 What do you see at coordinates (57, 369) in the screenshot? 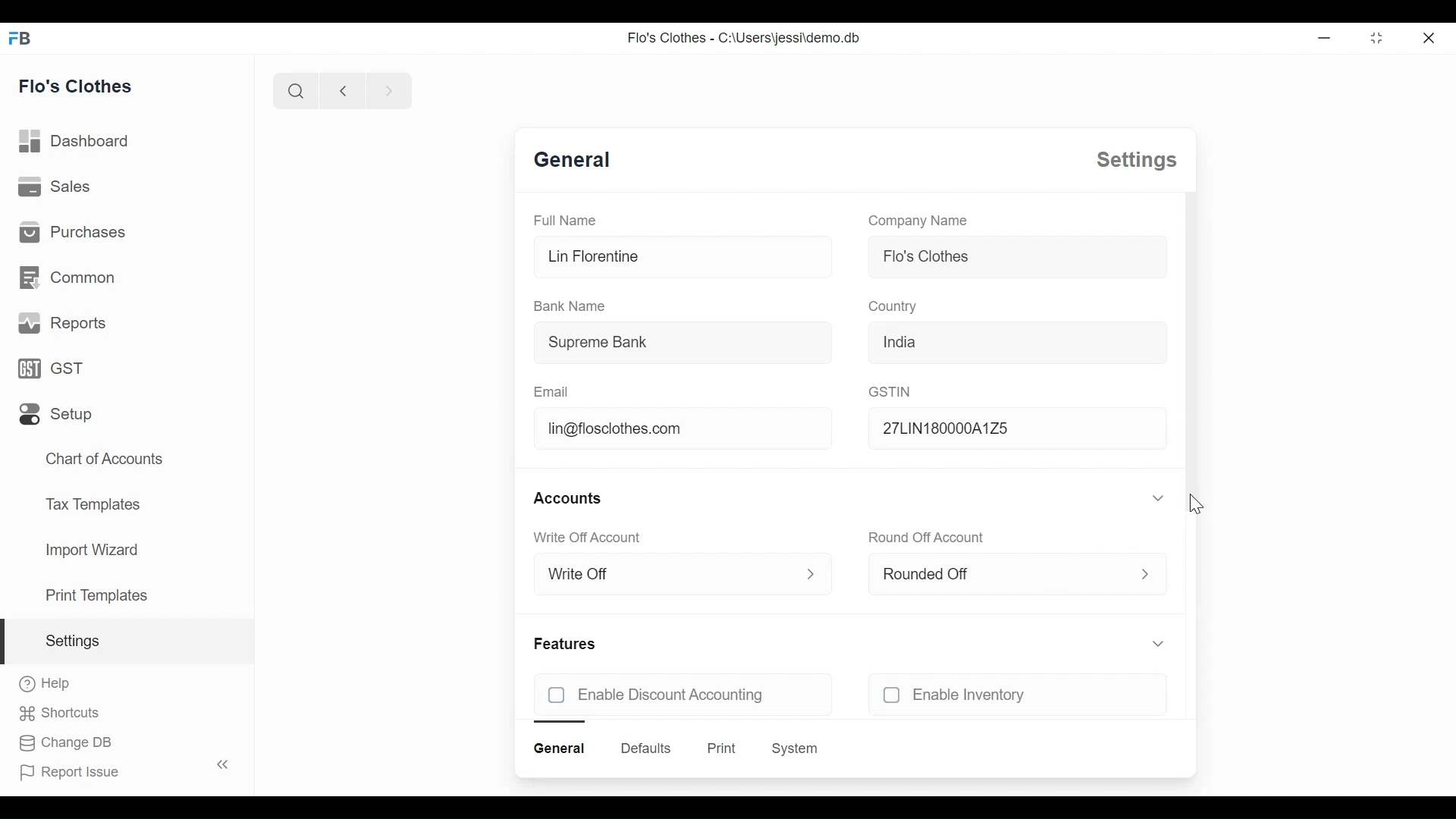
I see `GST` at bounding box center [57, 369].